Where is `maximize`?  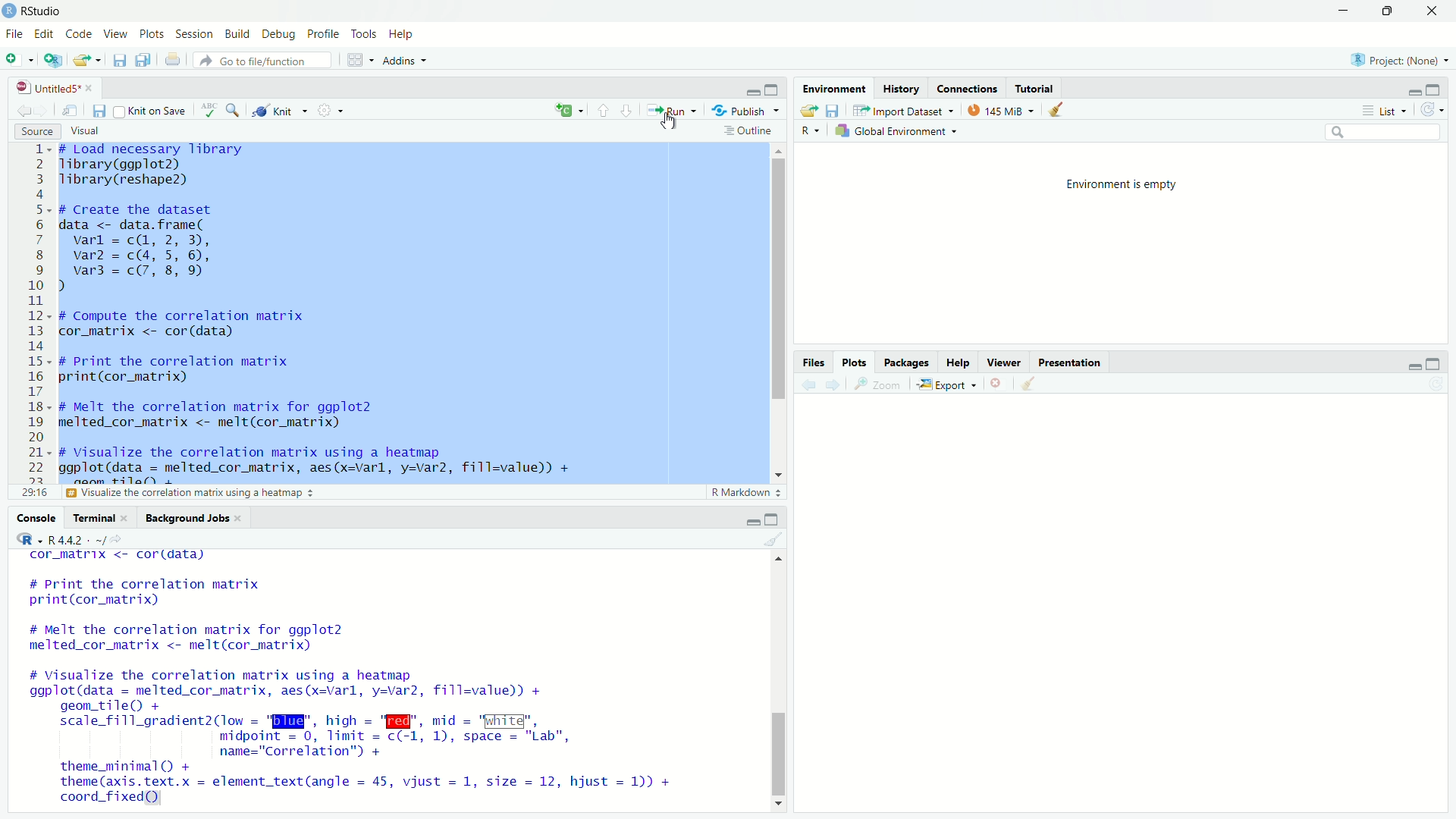 maximize is located at coordinates (1435, 90).